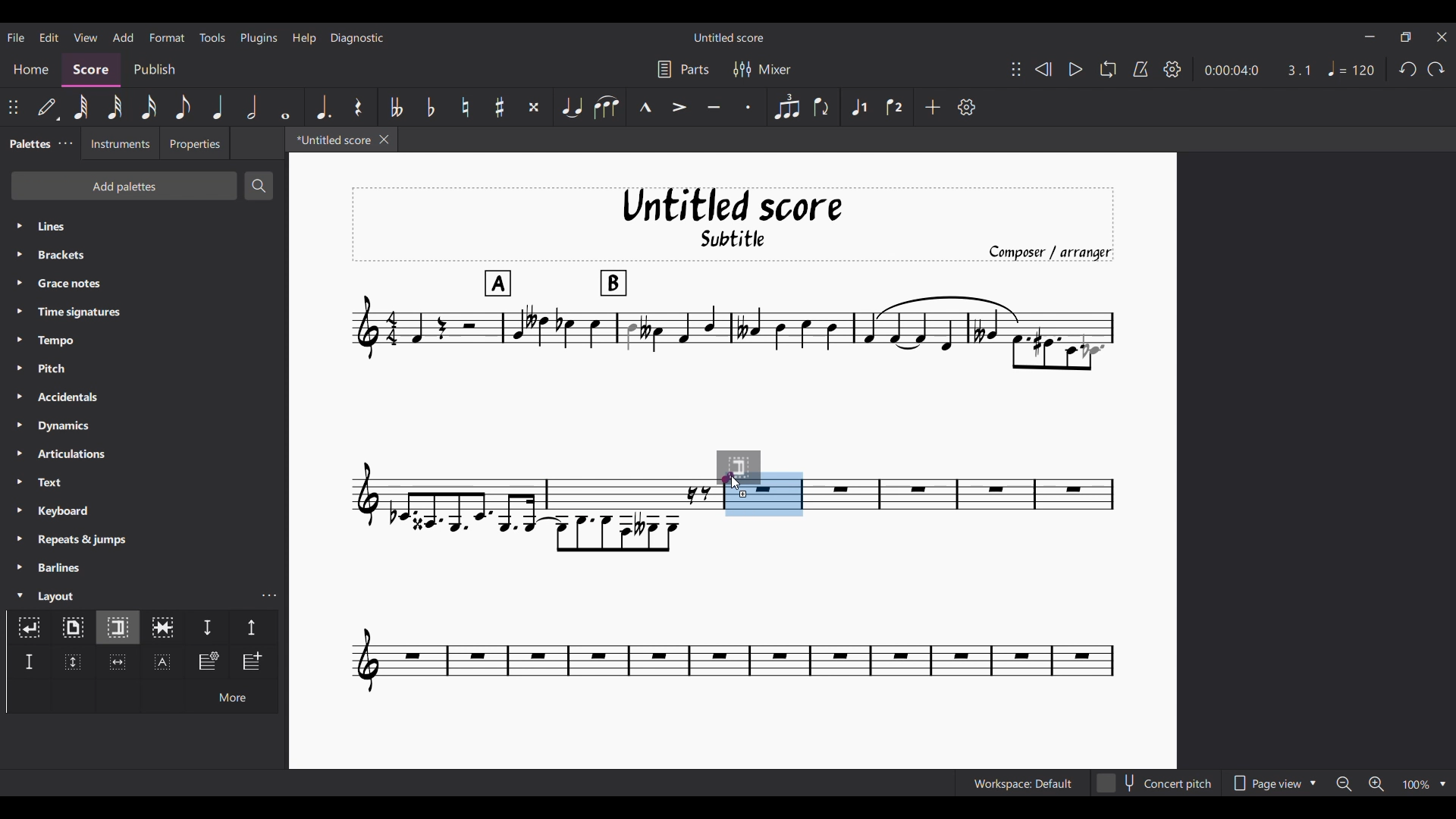 The image size is (1456, 819). Describe the element at coordinates (1075, 69) in the screenshot. I see `Play` at that location.